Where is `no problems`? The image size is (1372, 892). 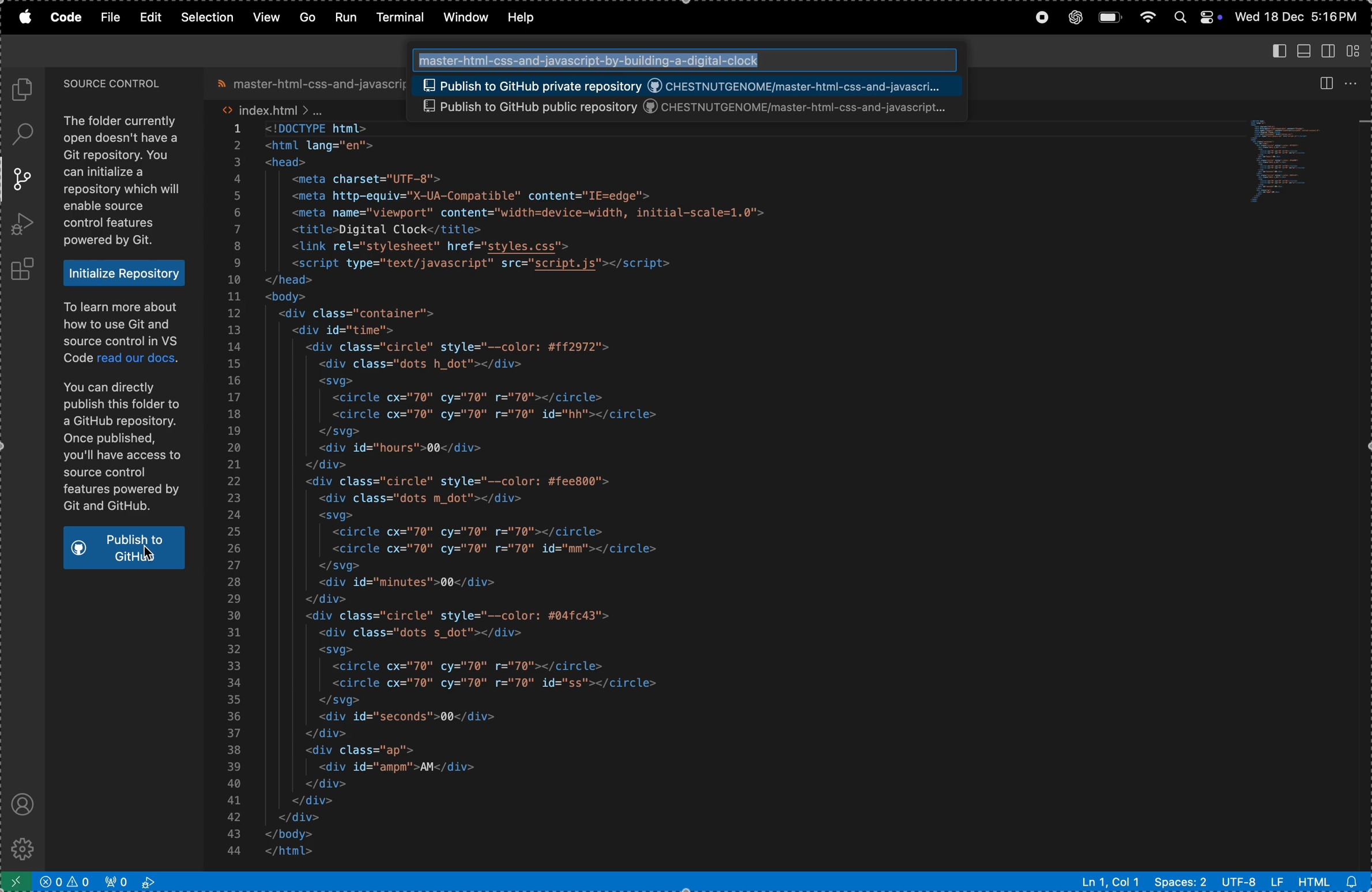 no problems is located at coordinates (67, 882).